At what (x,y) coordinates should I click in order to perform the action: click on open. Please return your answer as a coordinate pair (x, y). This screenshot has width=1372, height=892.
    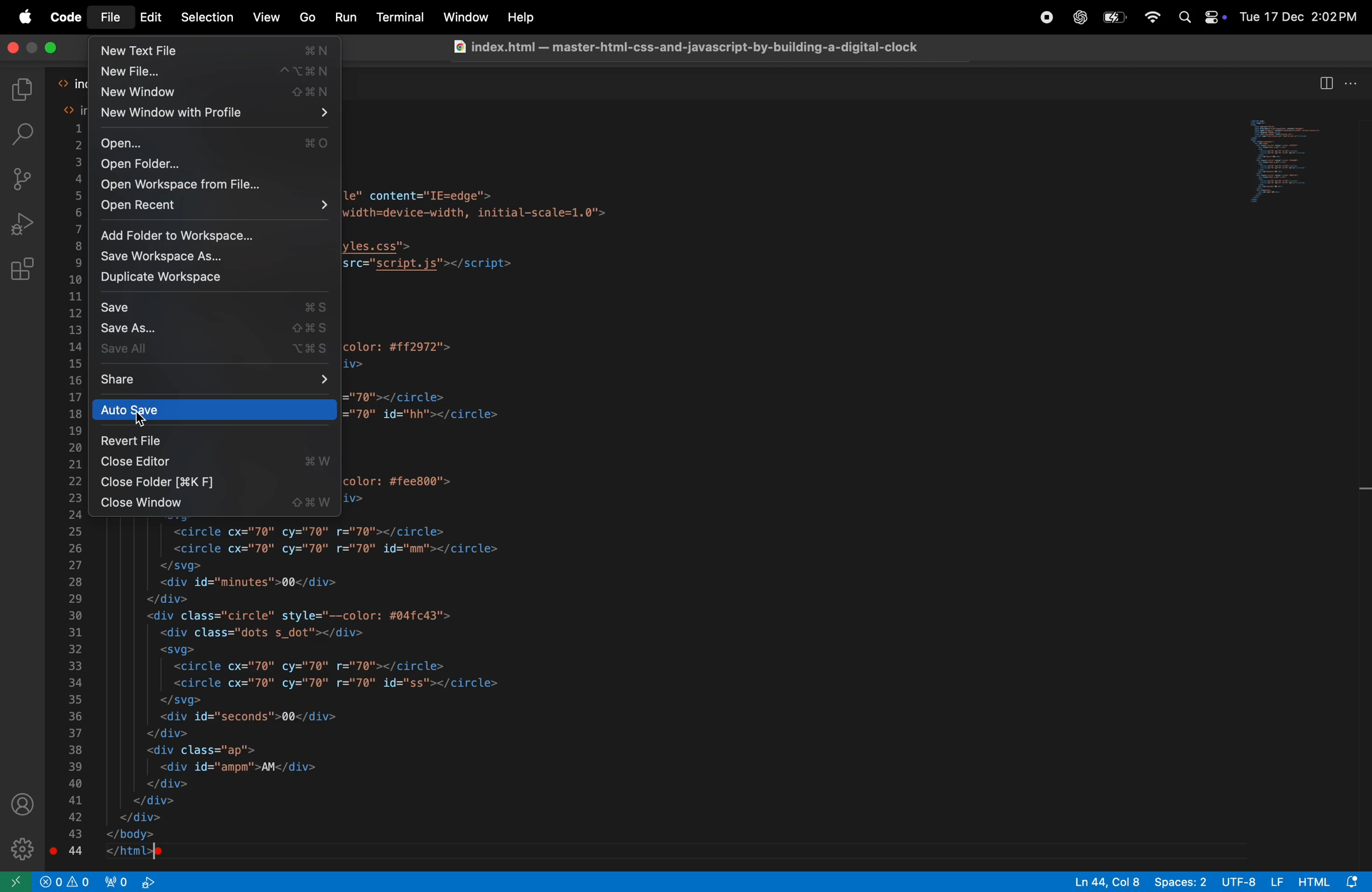
    Looking at the image, I should click on (213, 141).